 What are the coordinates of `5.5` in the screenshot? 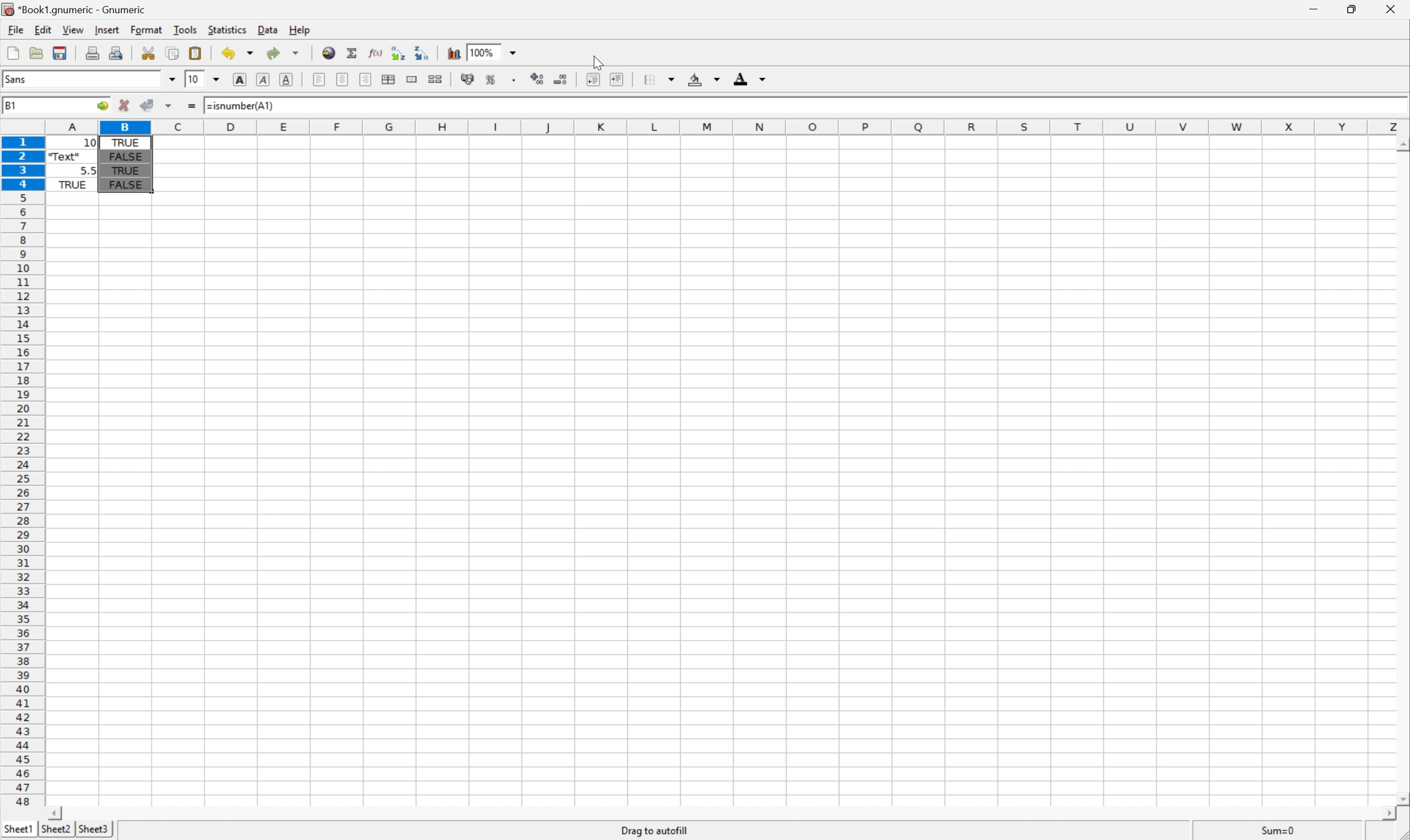 It's located at (89, 169).